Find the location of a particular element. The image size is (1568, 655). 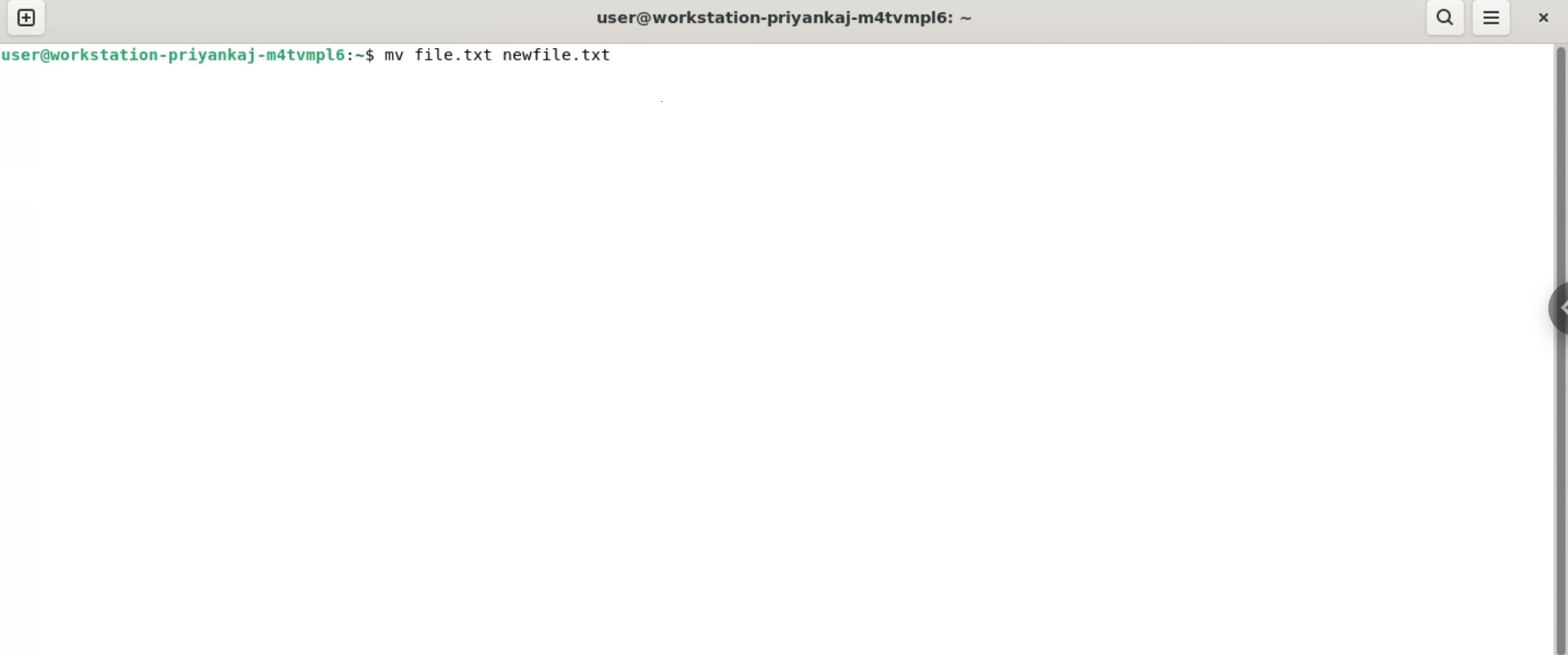

menu is located at coordinates (1493, 20).